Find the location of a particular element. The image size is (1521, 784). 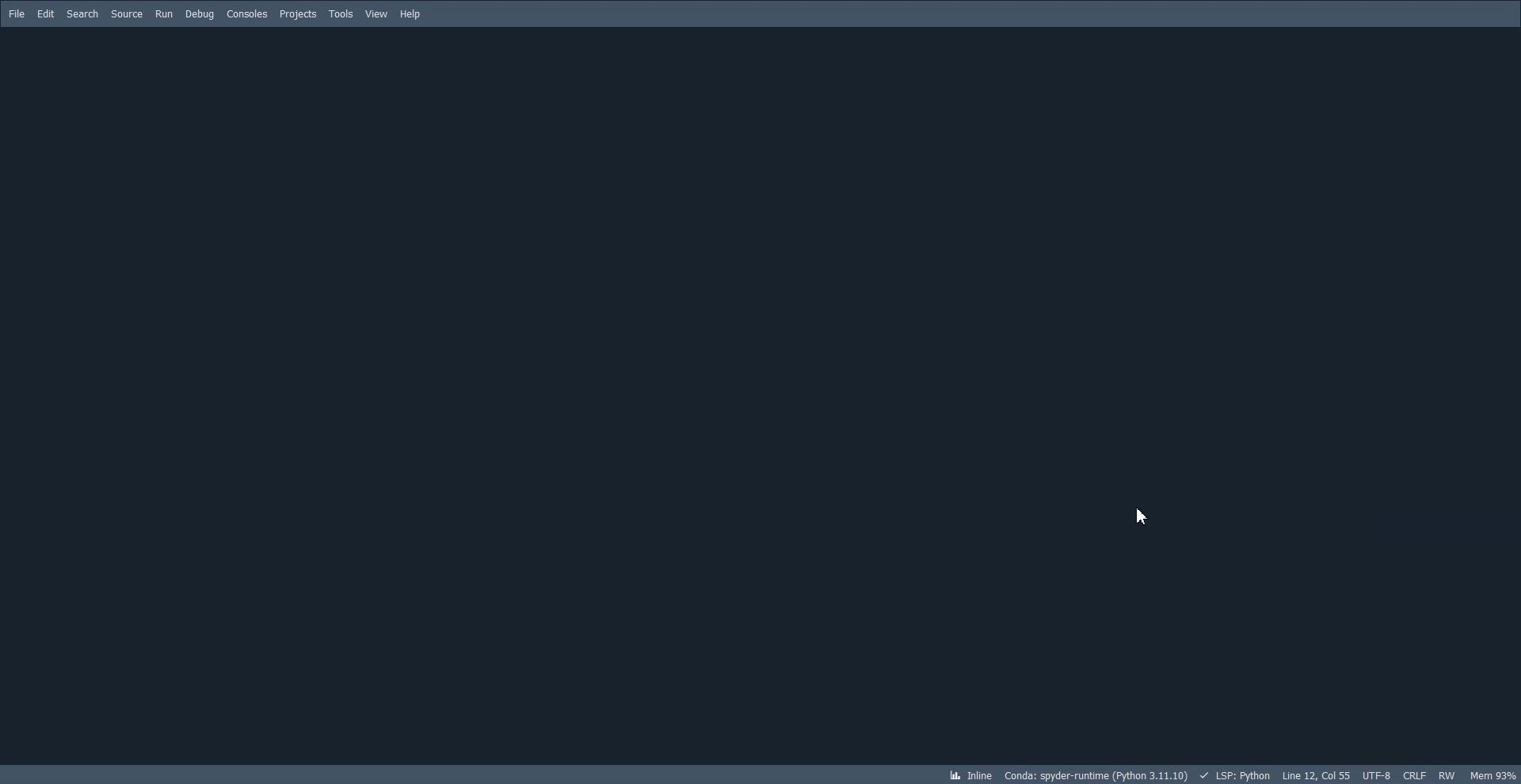

Help is located at coordinates (410, 13).